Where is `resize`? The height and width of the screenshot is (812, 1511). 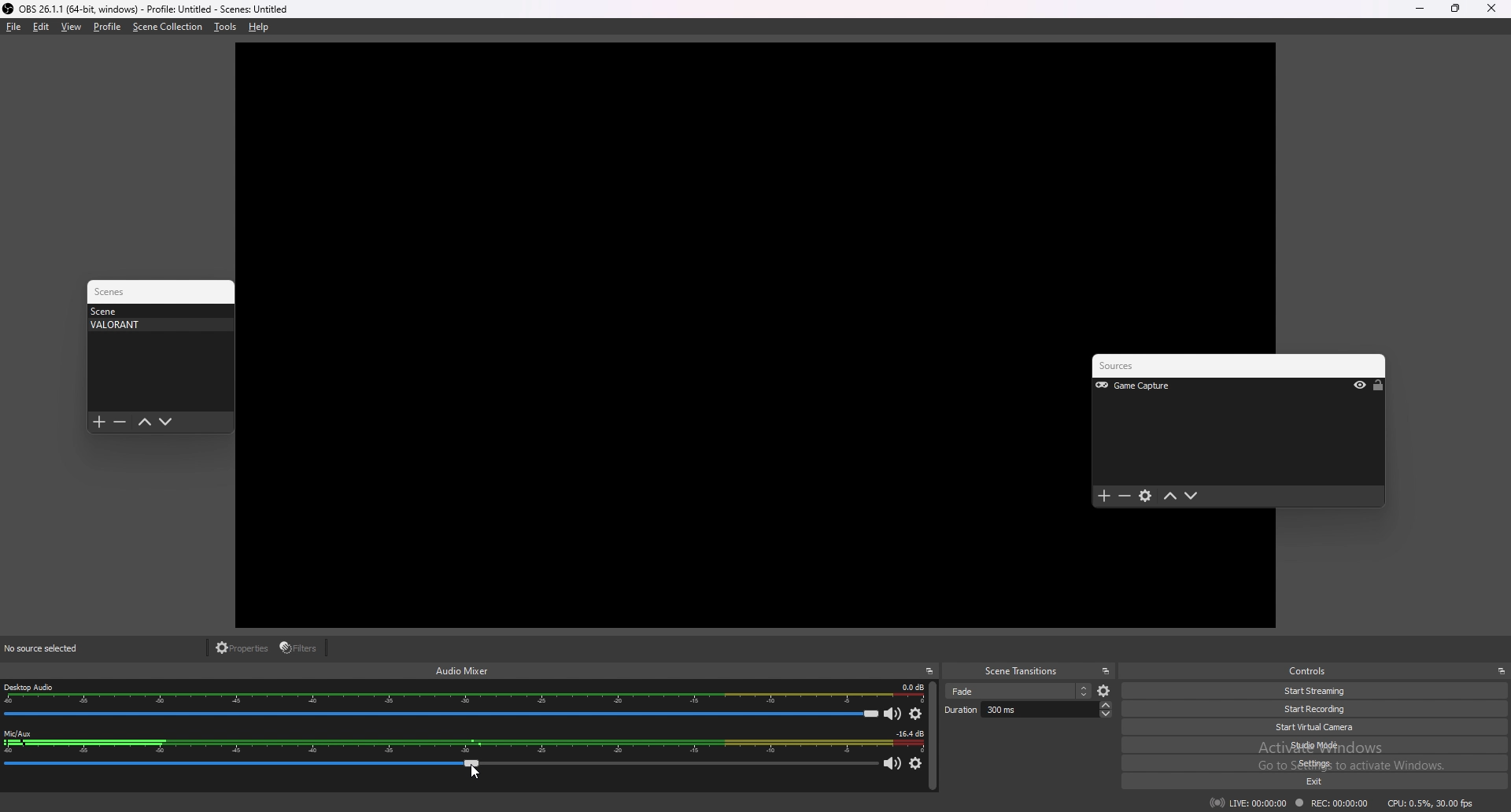
resize is located at coordinates (1455, 8).